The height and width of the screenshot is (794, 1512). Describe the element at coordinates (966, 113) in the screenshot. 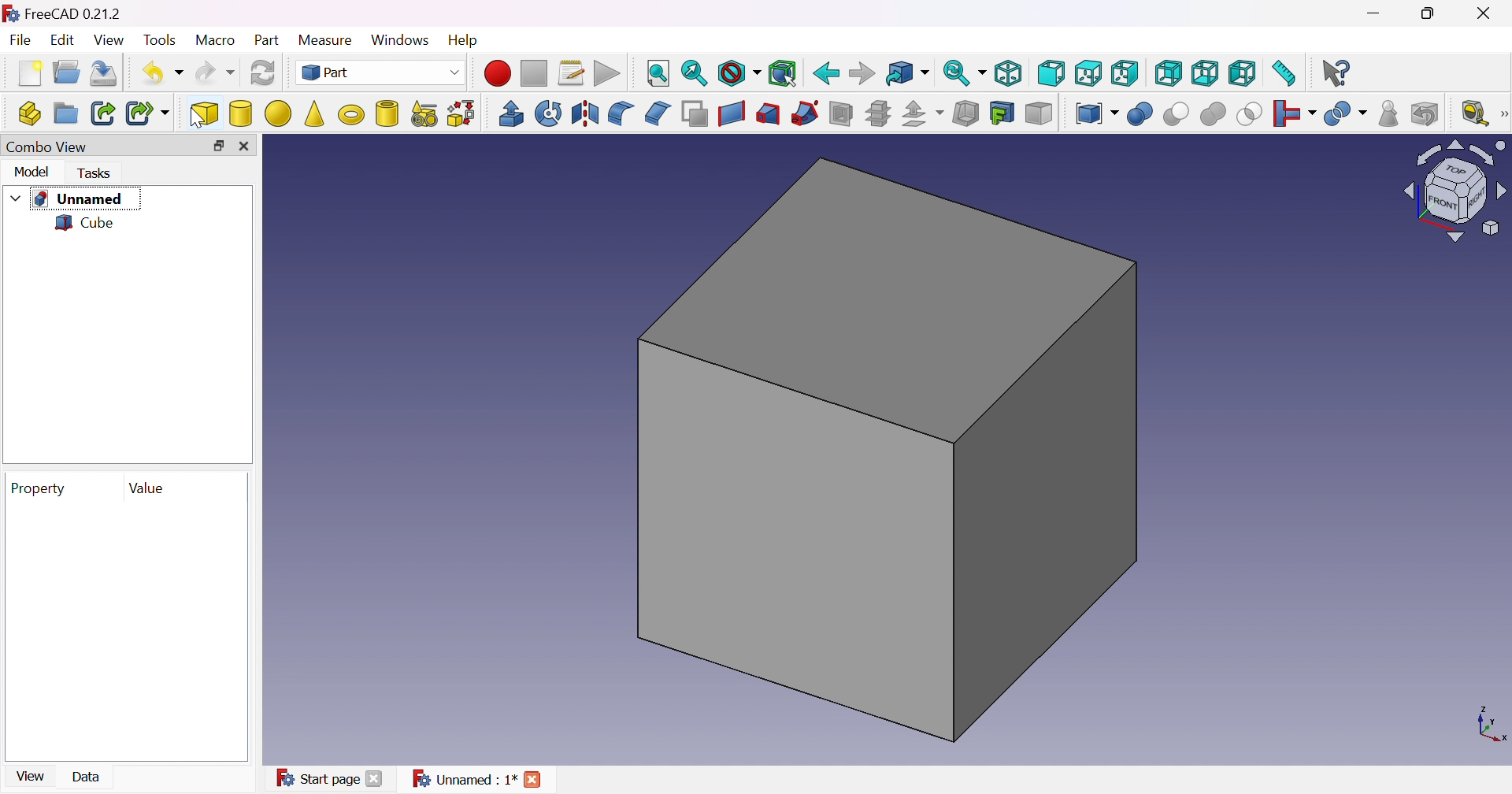

I see `Thickness` at that location.